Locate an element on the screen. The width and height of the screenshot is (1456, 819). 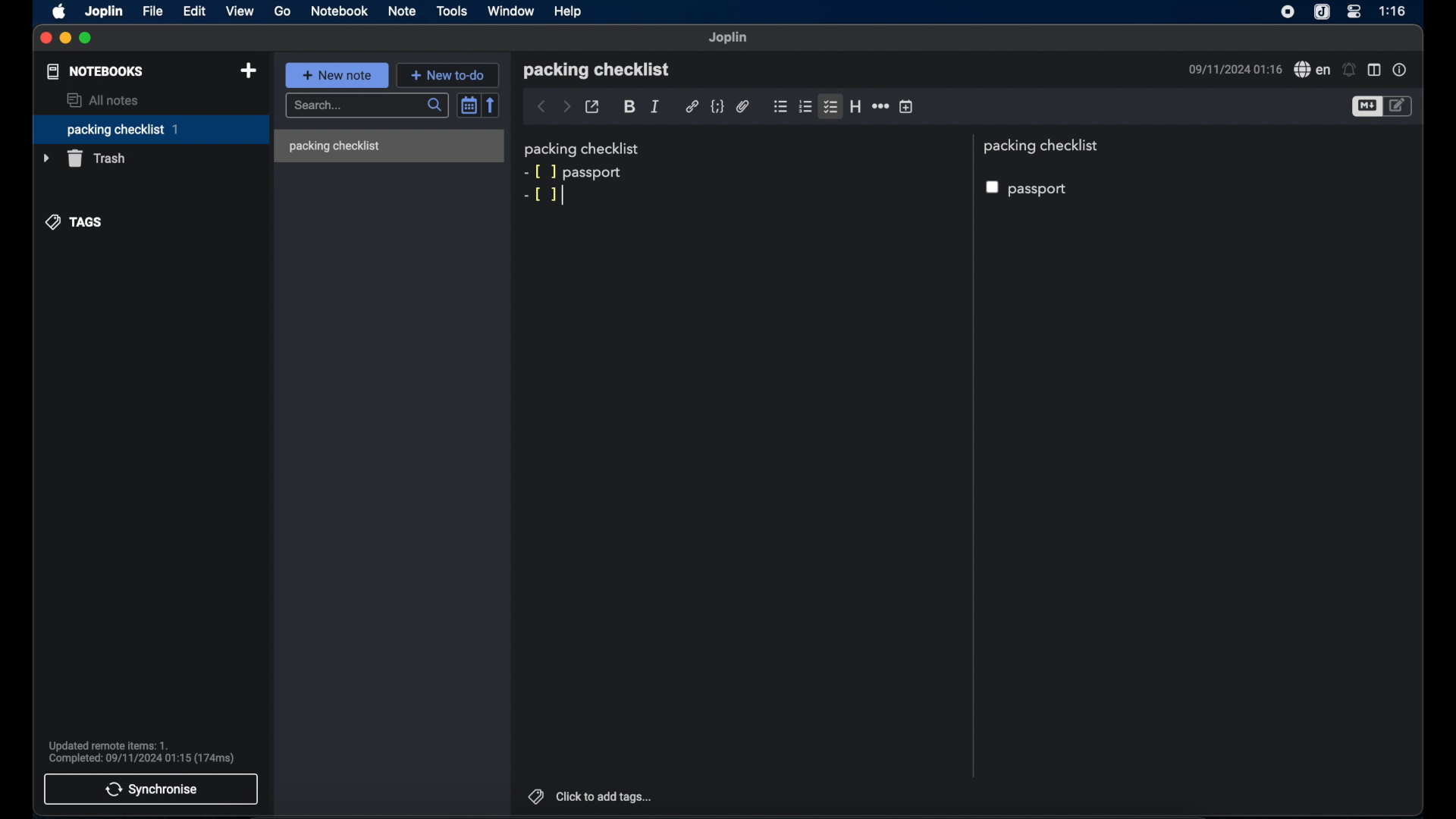
packing checklist is located at coordinates (583, 149).